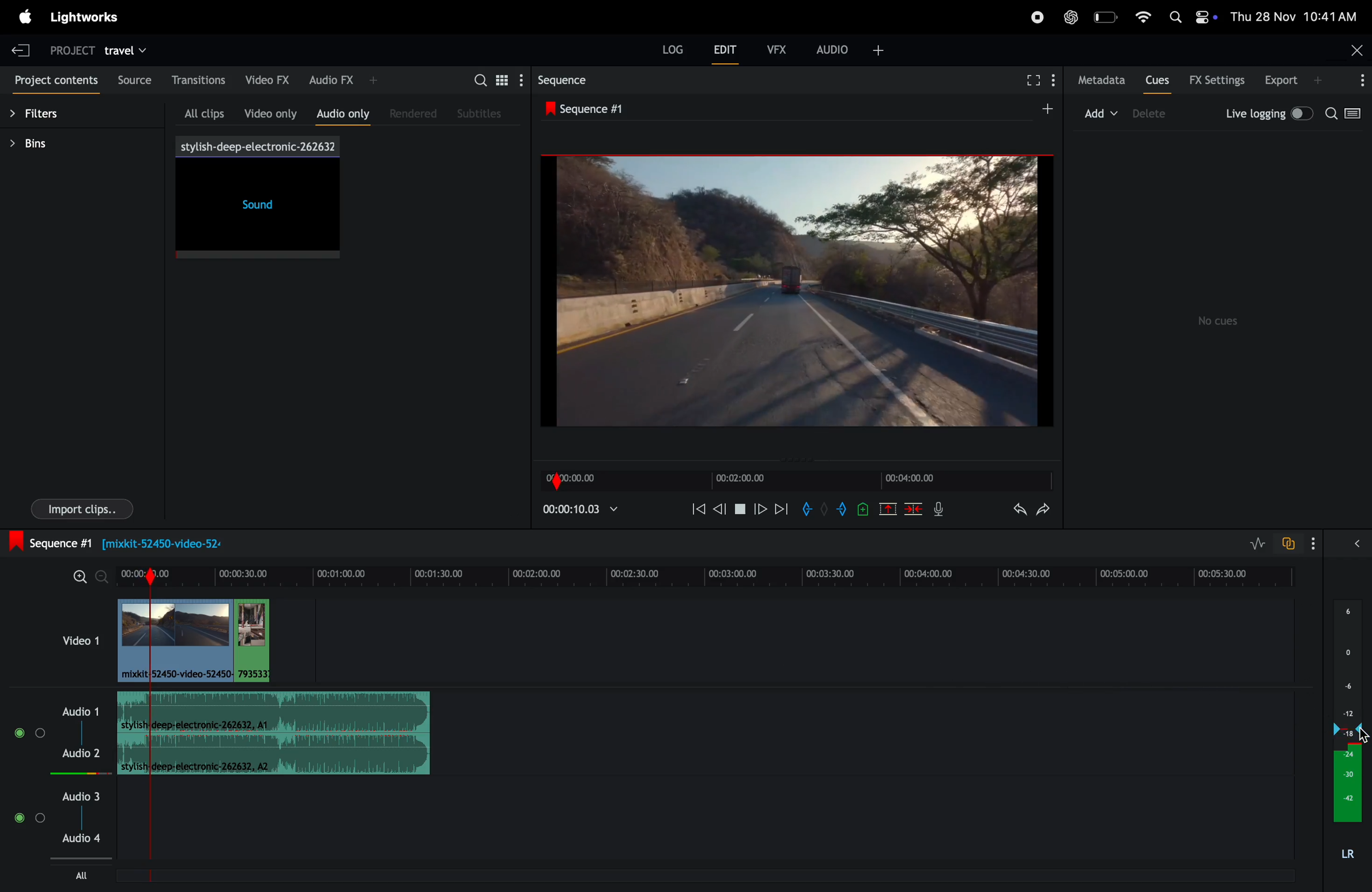 This screenshot has width=1372, height=892. I want to click on Mute/Unmute track, so click(19, 823).